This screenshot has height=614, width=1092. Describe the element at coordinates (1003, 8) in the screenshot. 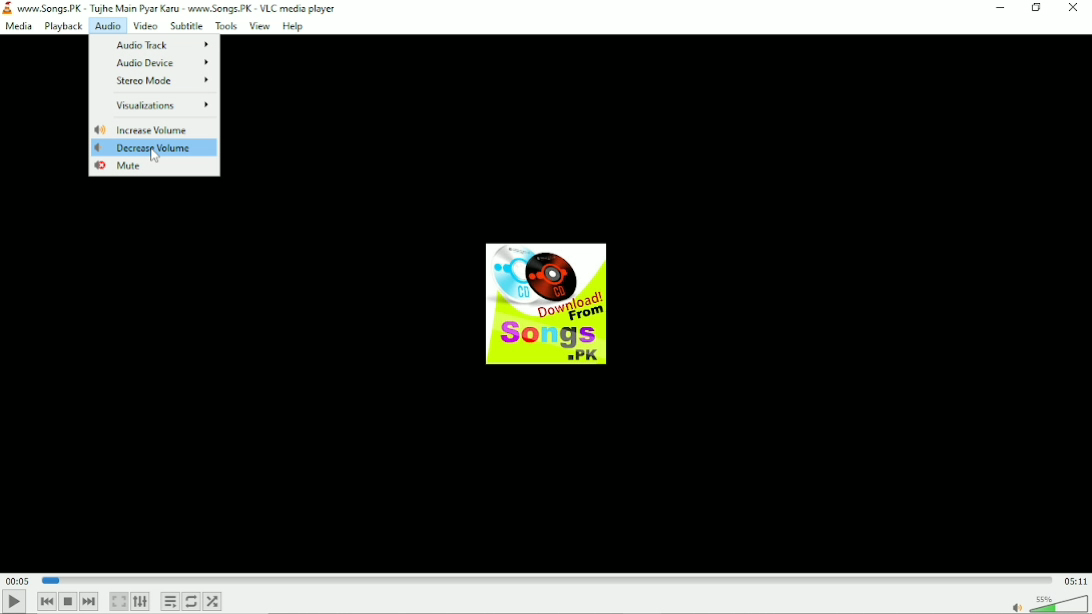

I see `Minimize` at that location.